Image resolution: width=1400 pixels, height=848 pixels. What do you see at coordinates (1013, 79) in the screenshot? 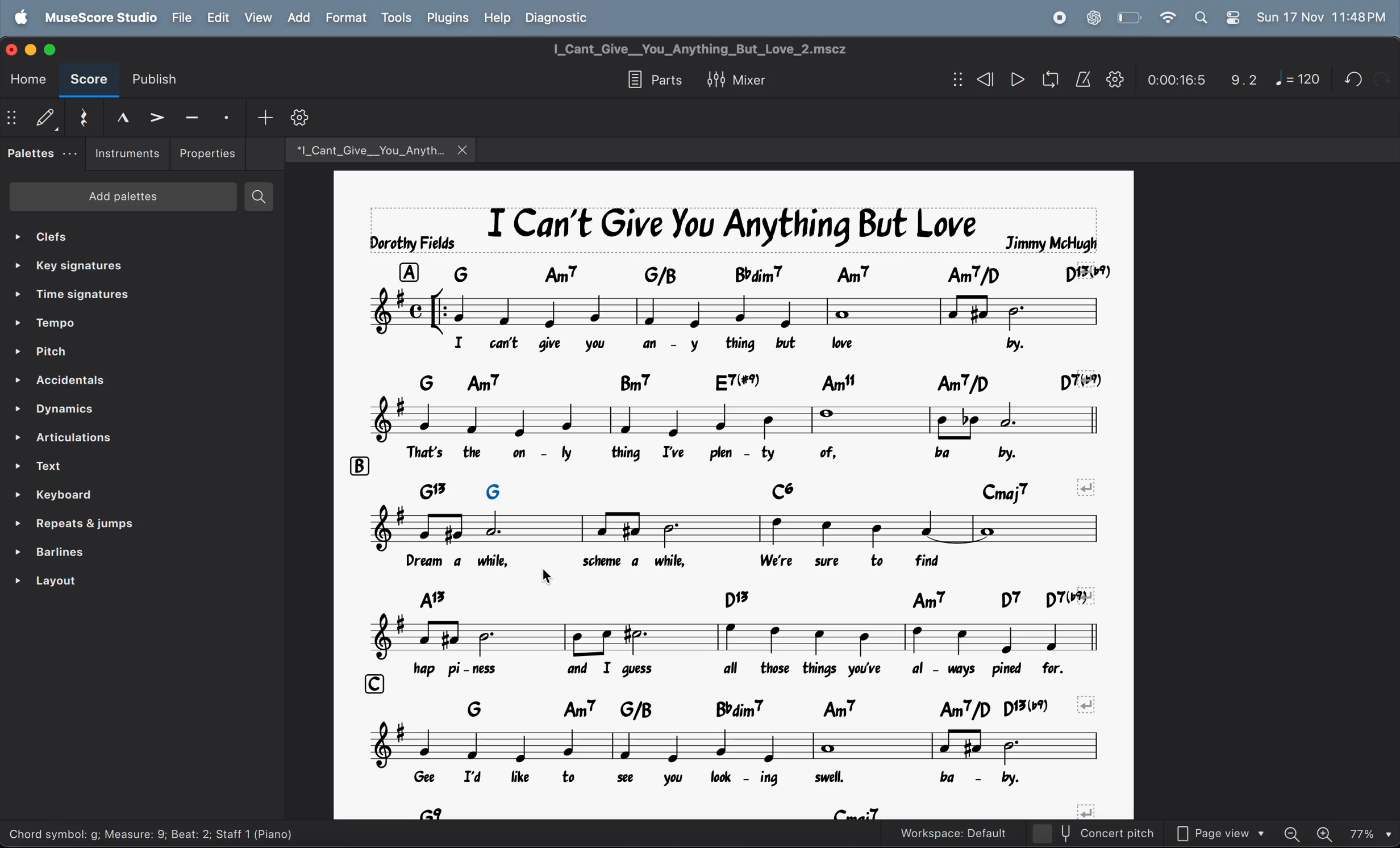
I see `play` at bounding box center [1013, 79].